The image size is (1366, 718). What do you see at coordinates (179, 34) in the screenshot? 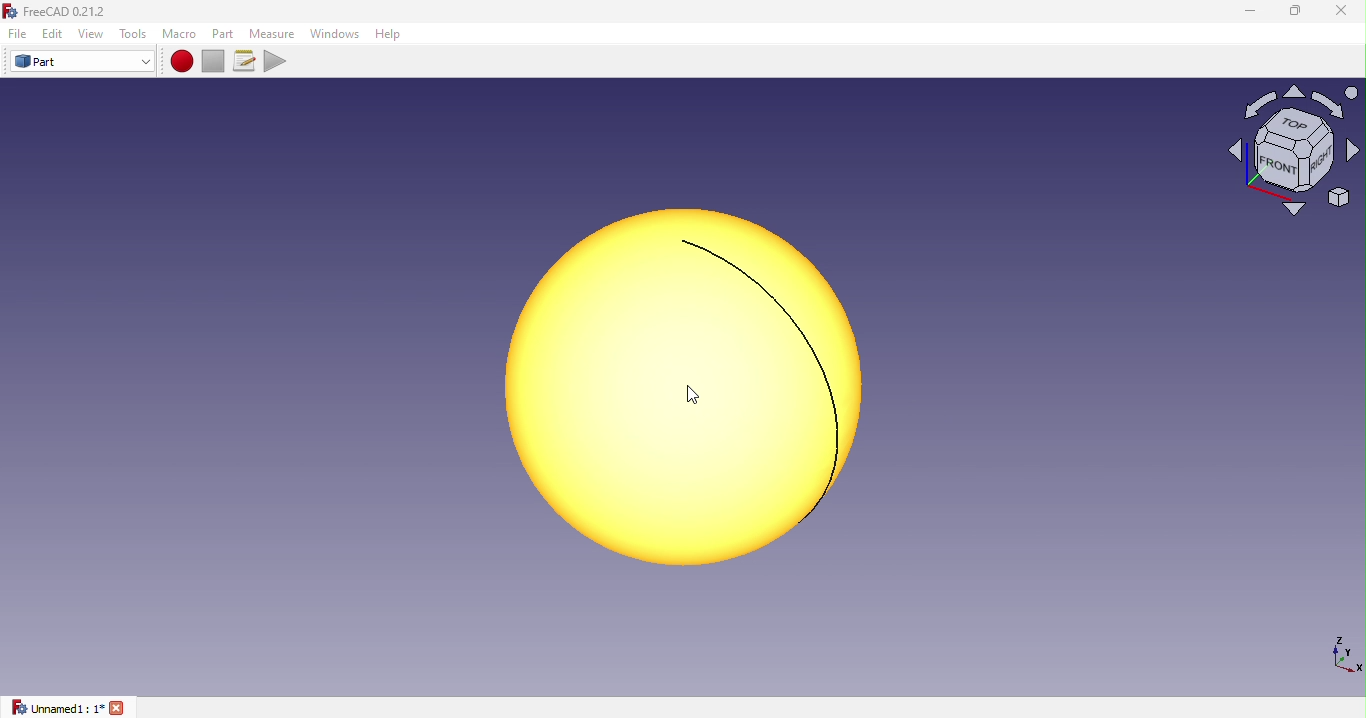
I see `Macro` at bounding box center [179, 34].